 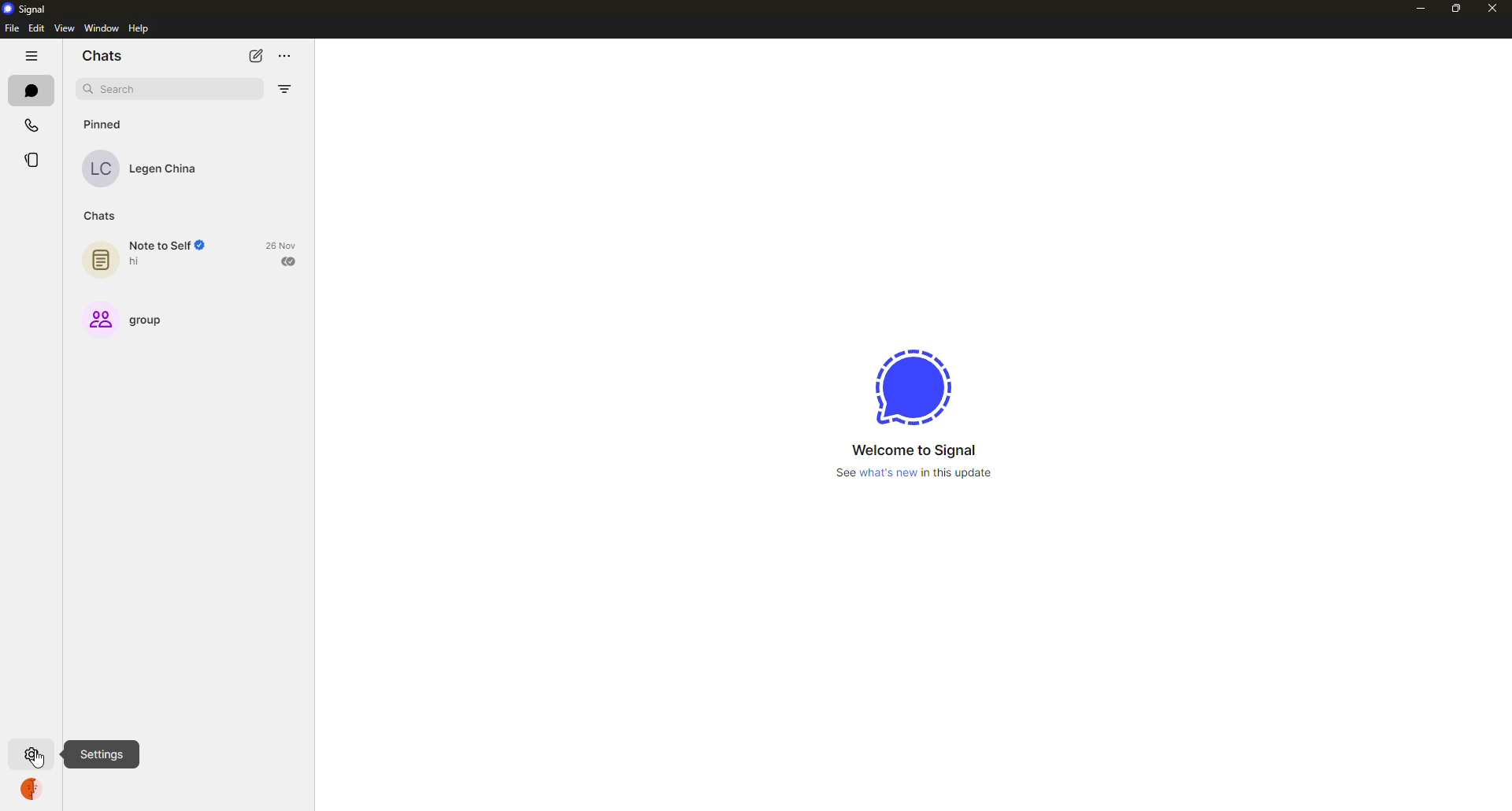 I want to click on more, so click(x=286, y=57).